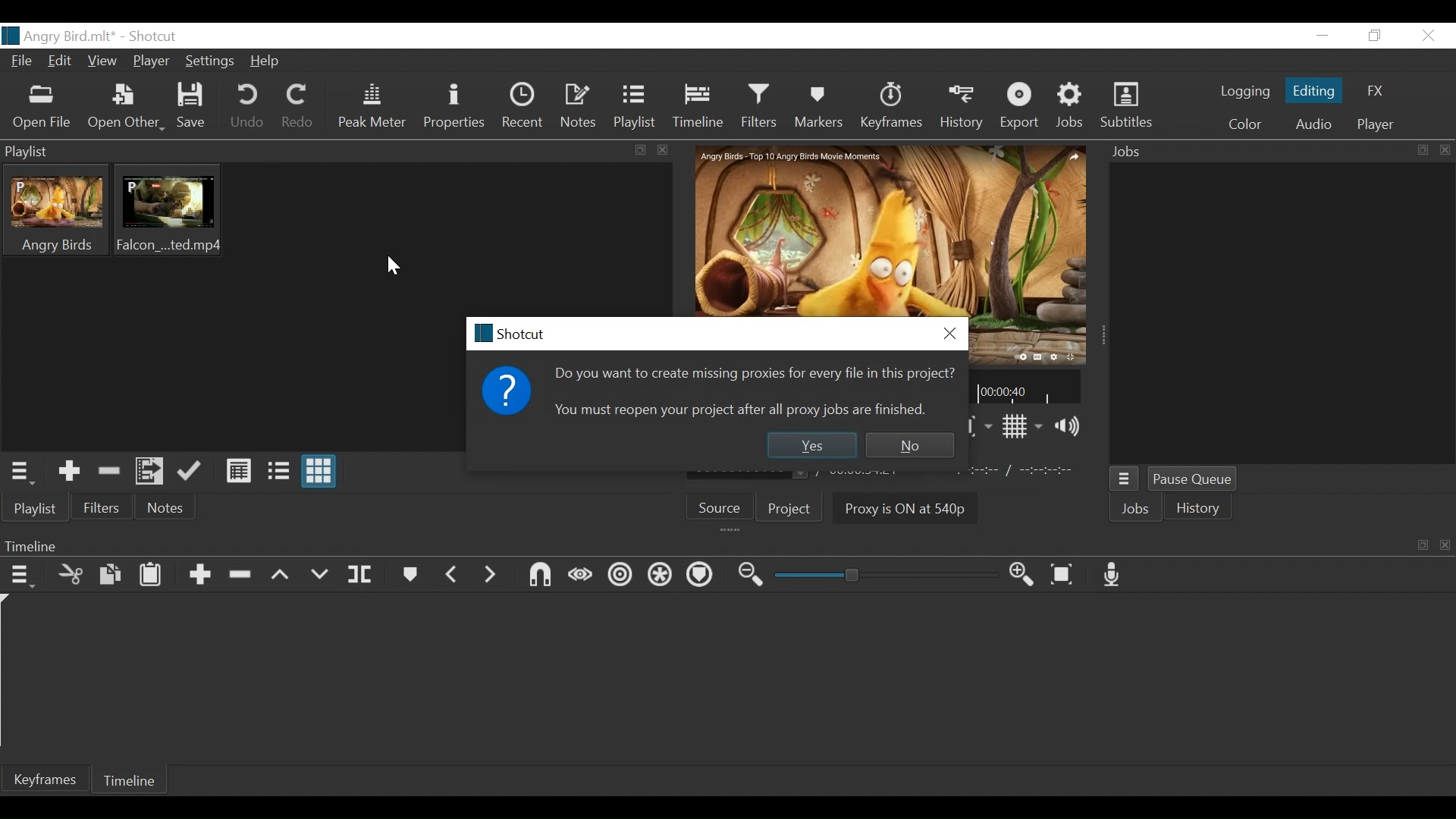 This screenshot has width=1456, height=819. Describe the element at coordinates (536, 575) in the screenshot. I see `Snap` at that location.